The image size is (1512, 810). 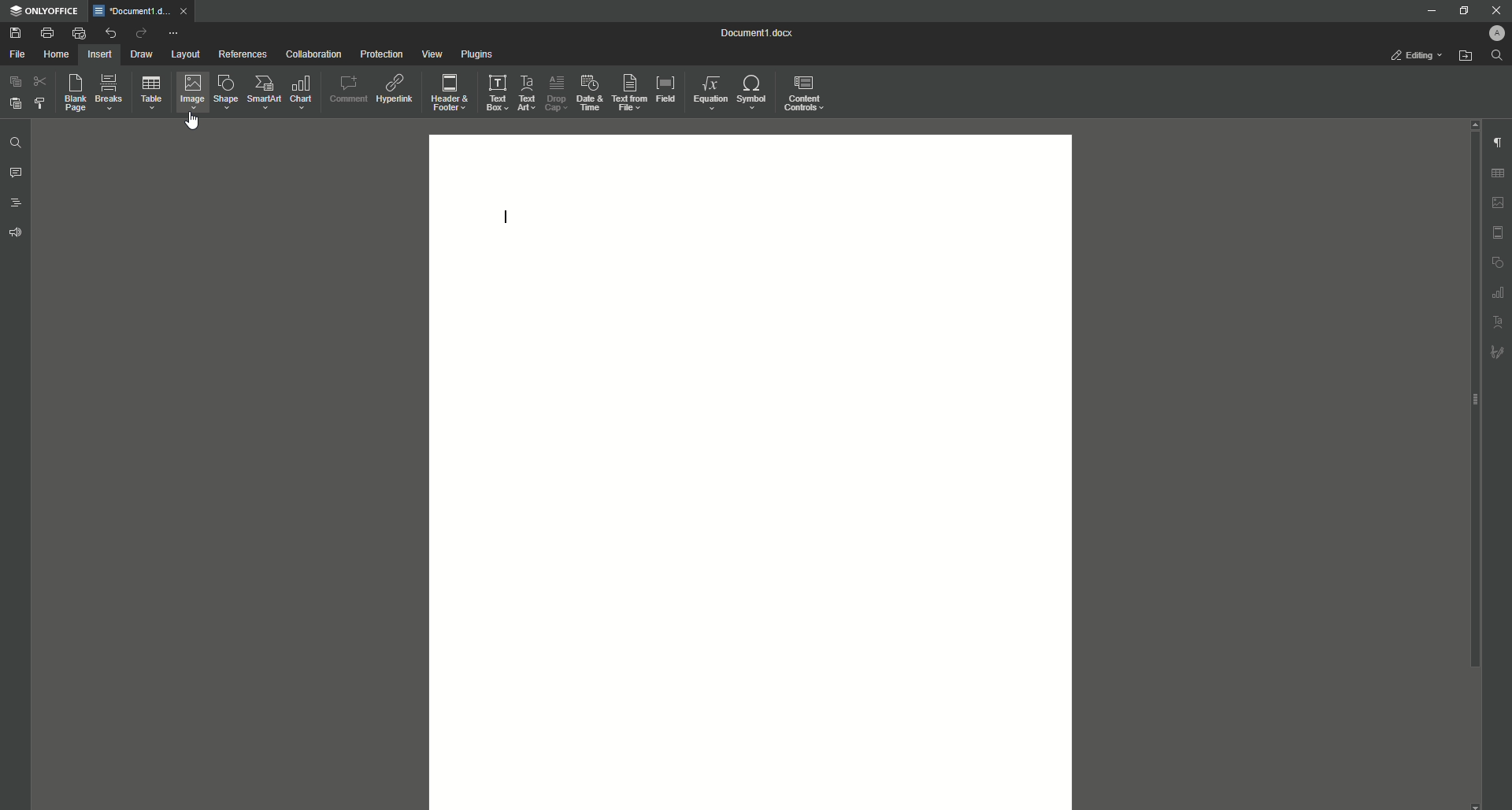 I want to click on Text From File, so click(x=629, y=90).